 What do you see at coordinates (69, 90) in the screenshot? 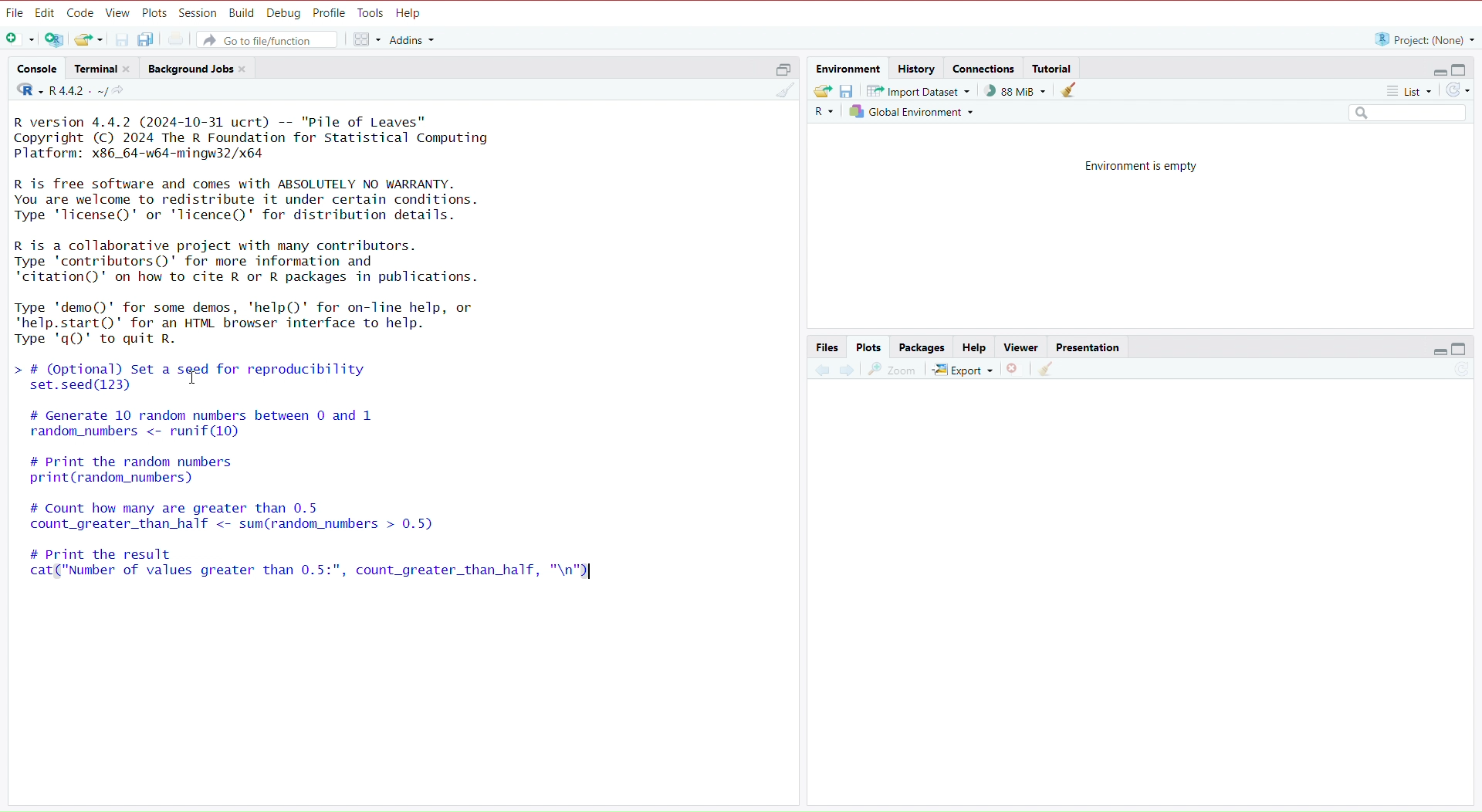
I see `R442. ~/` at bounding box center [69, 90].